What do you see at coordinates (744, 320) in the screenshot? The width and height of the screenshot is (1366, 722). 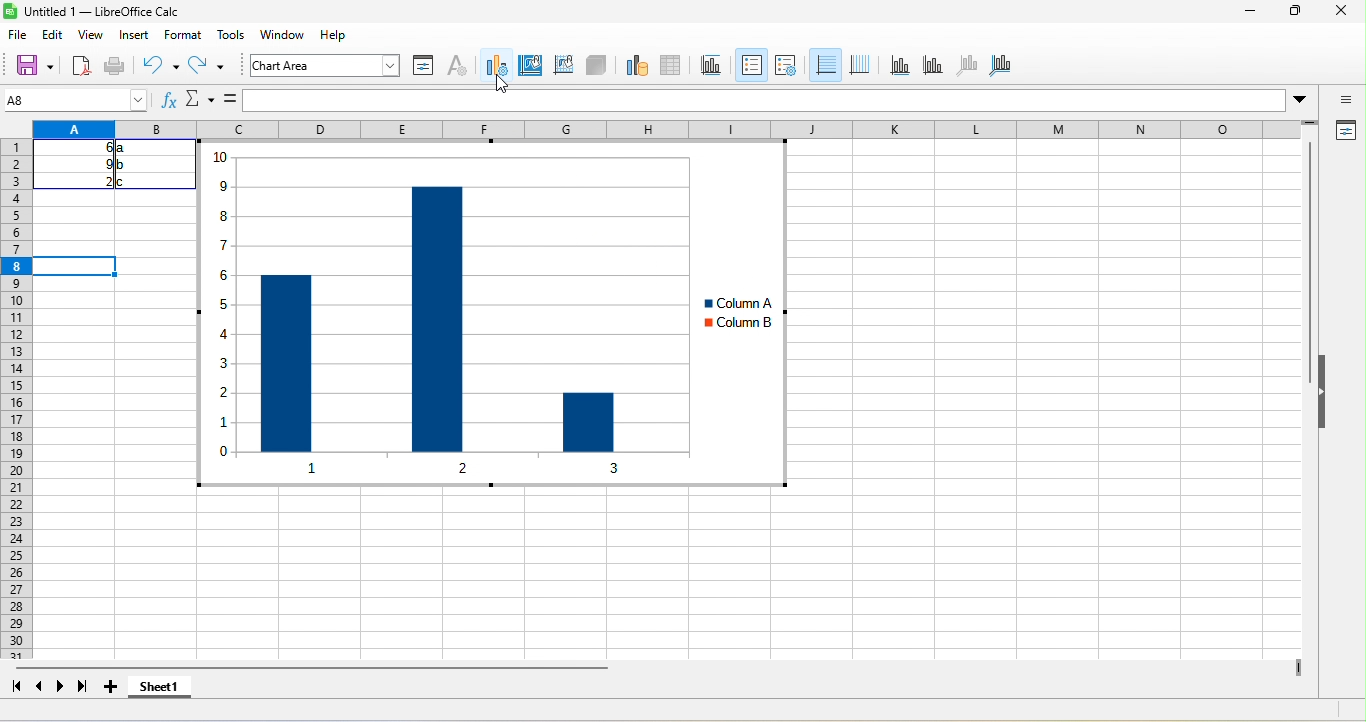 I see `column b` at bounding box center [744, 320].